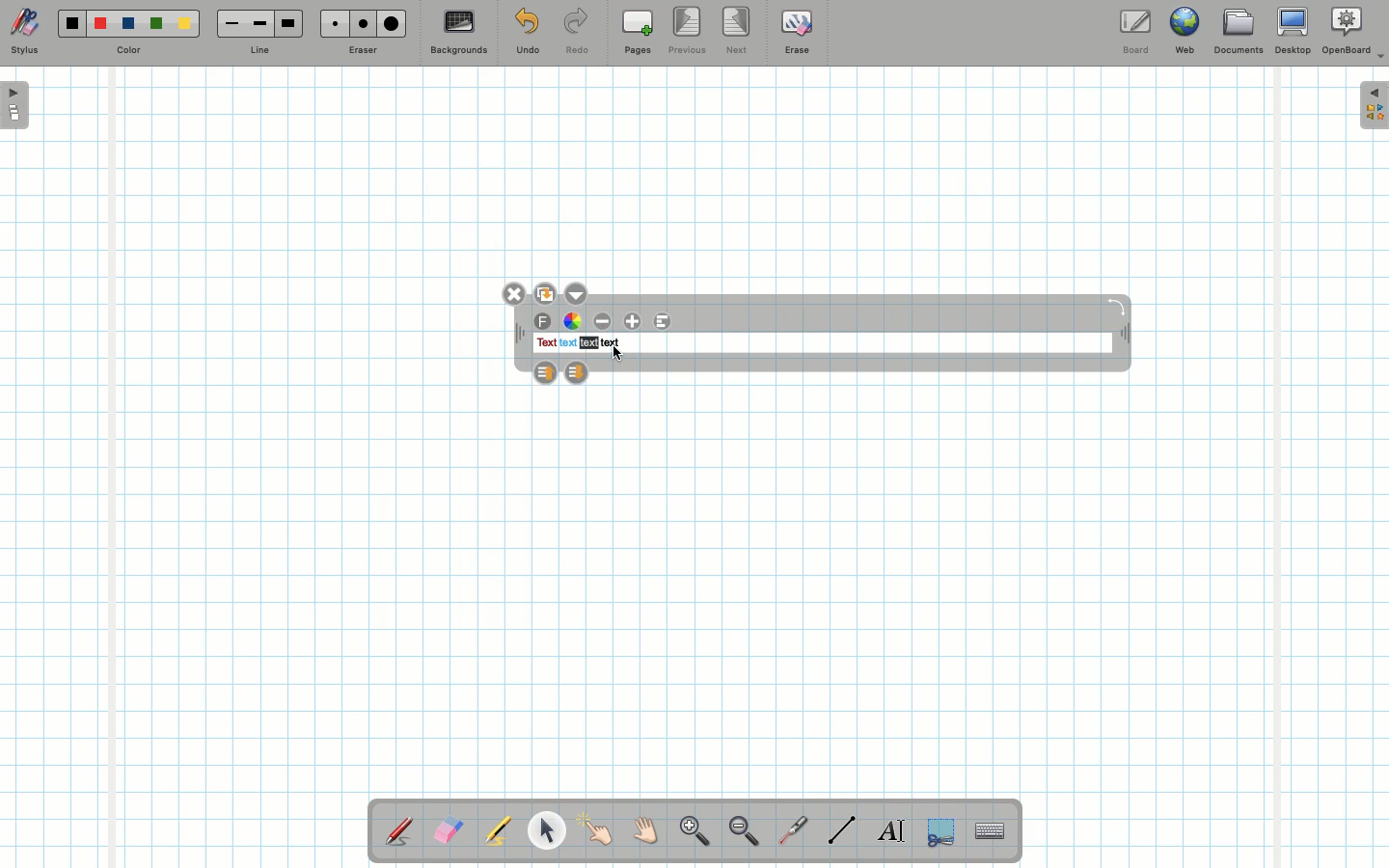 This screenshot has width=1389, height=868. I want to click on Web, so click(1184, 35).